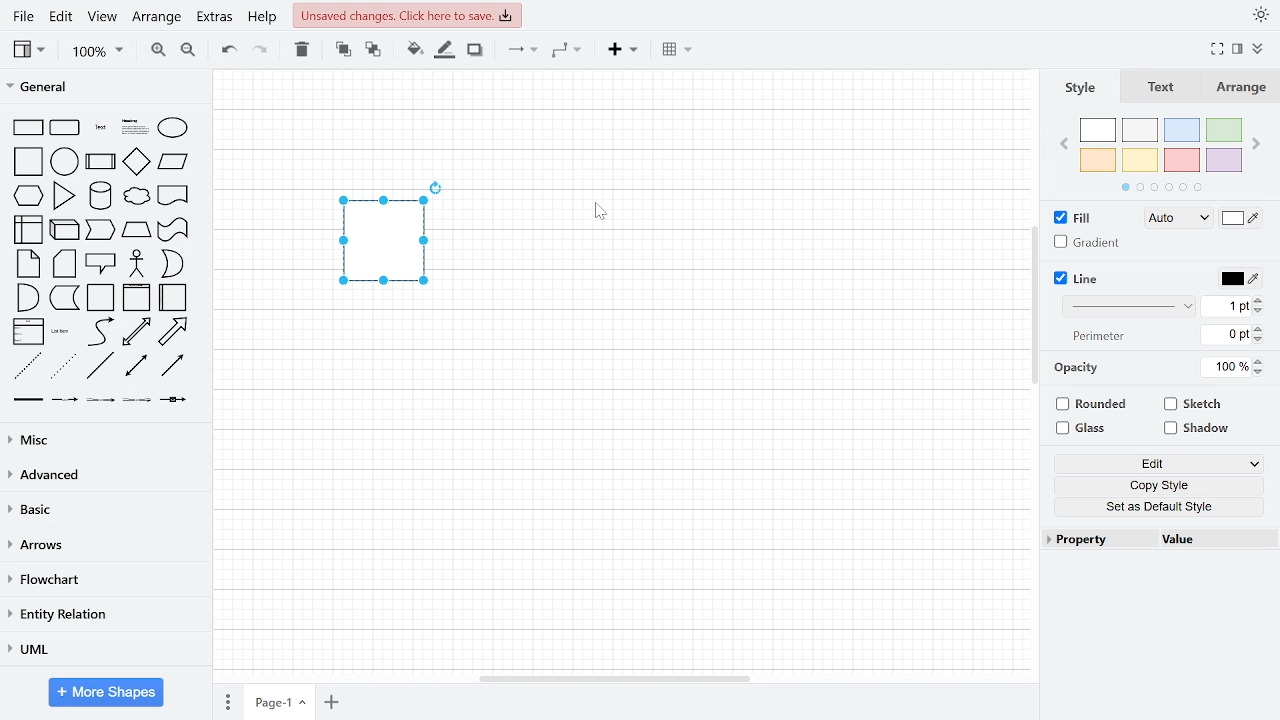 This screenshot has width=1280, height=720. I want to click on glass, so click(1081, 429).